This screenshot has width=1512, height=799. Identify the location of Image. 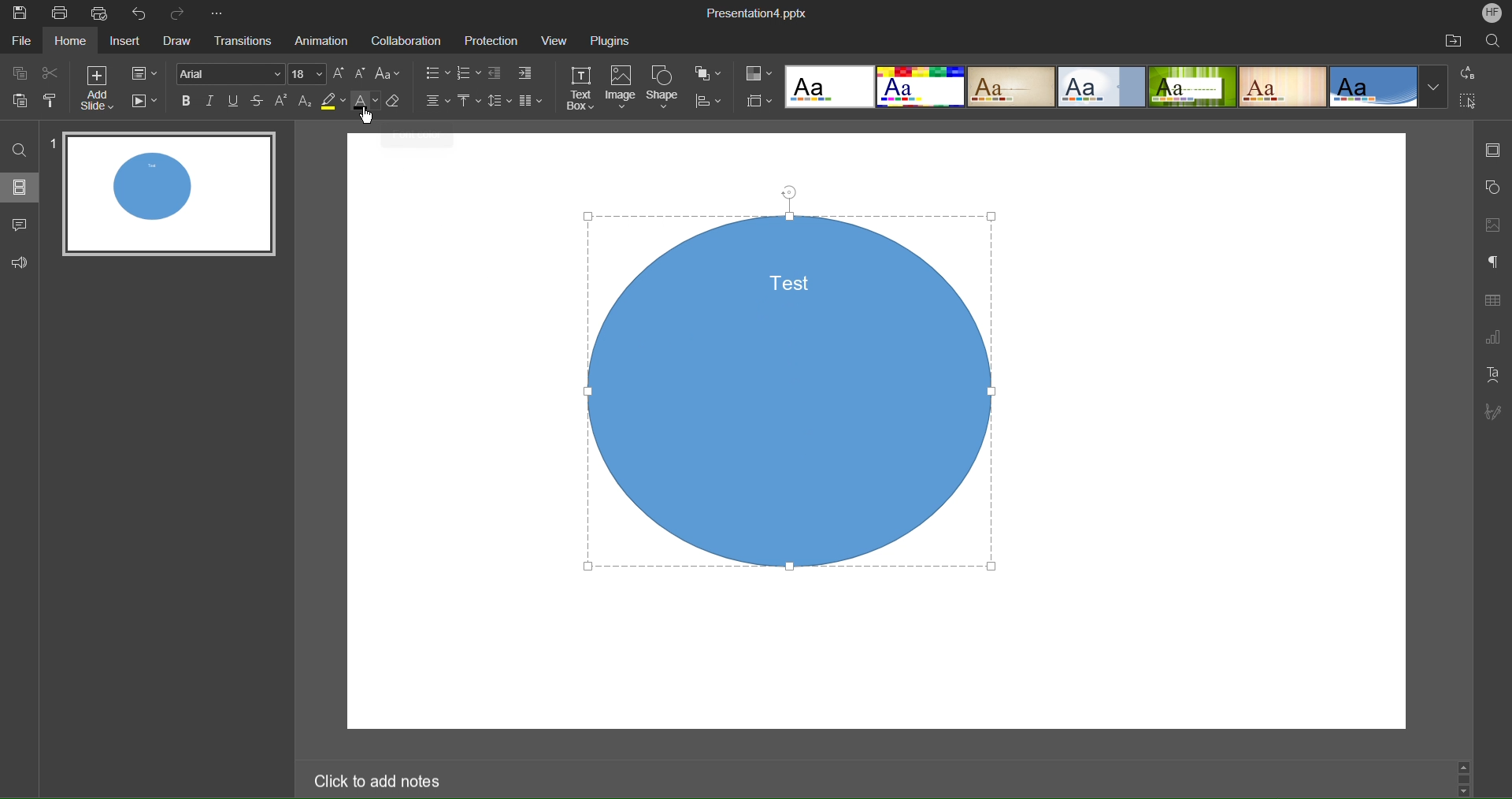
(624, 90).